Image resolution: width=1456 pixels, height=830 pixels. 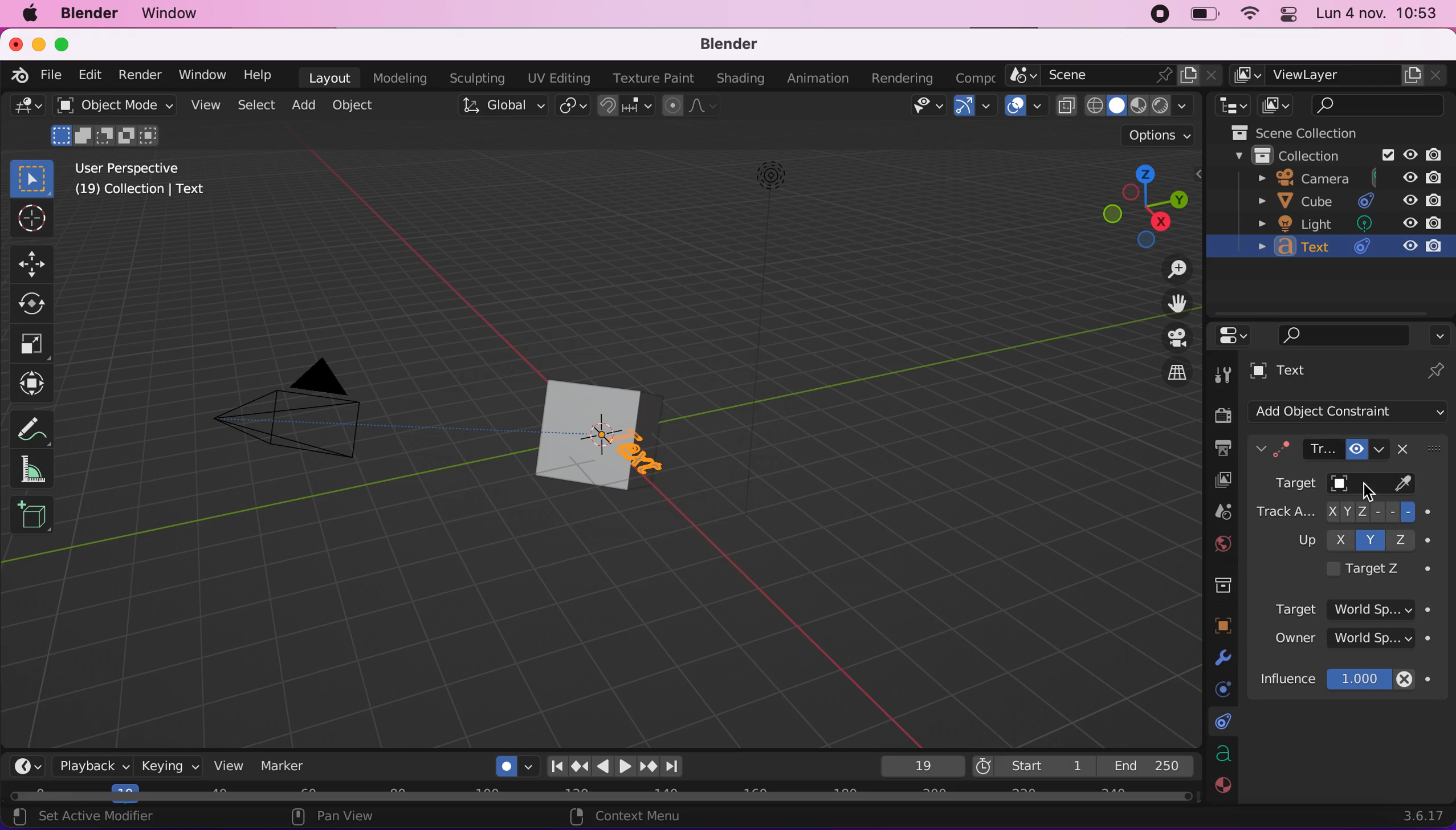 What do you see at coordinates (730, 44) in the screenshot?
I see `blender` at bounding box center [730, 44].